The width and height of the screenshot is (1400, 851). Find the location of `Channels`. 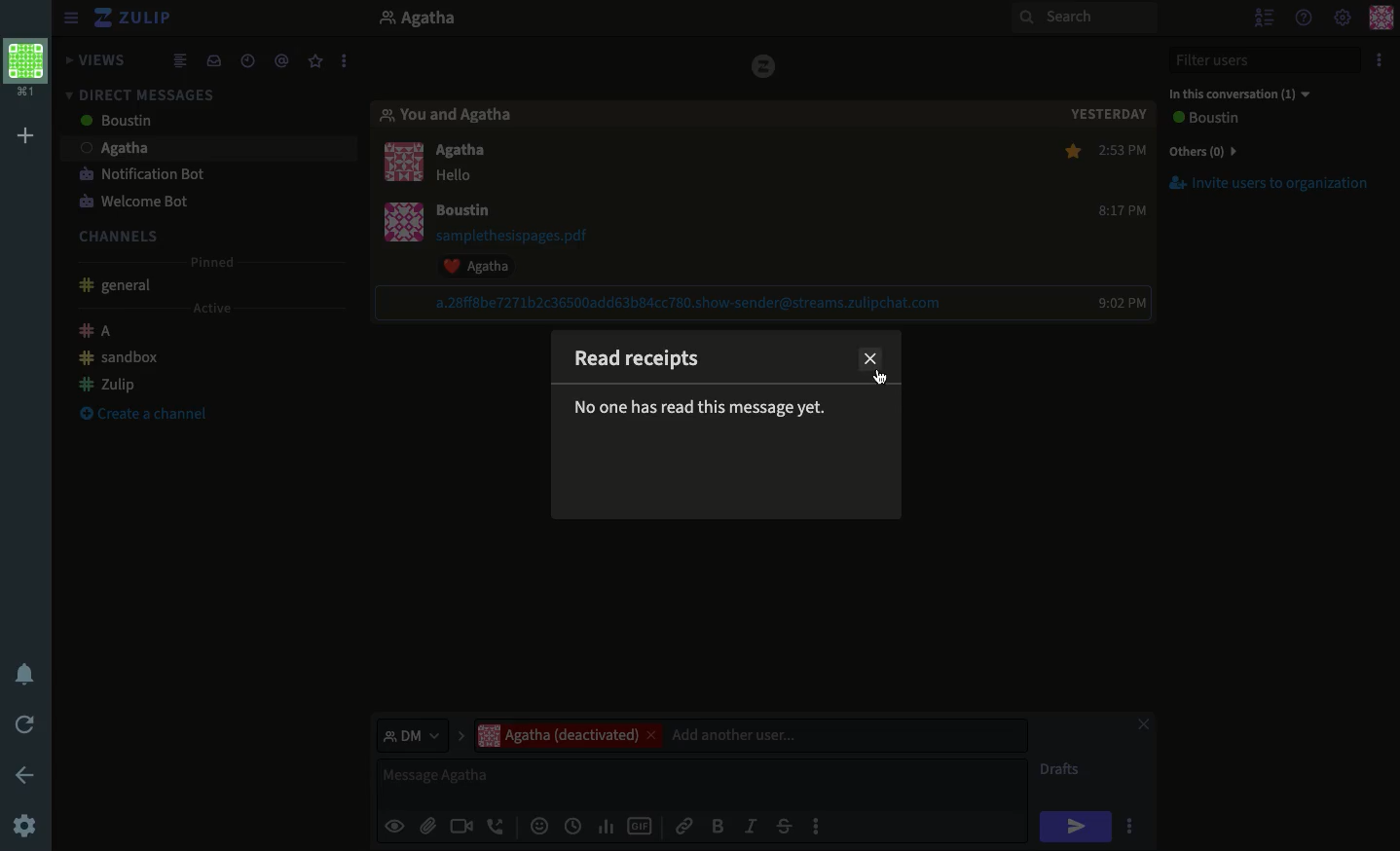

Channels is located at coordinates (126, 234).